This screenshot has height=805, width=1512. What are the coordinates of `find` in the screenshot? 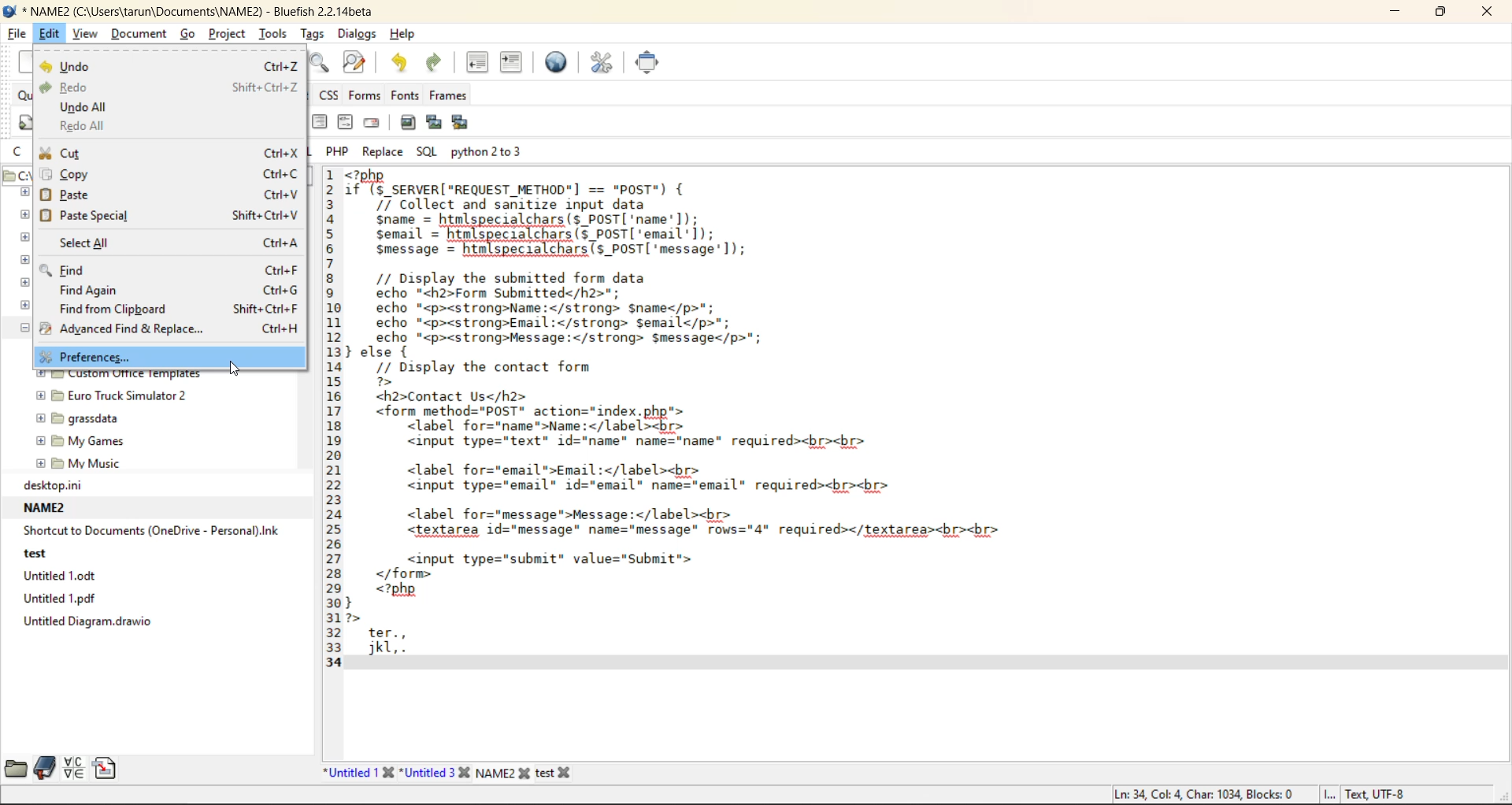 It's located at (317, 65).